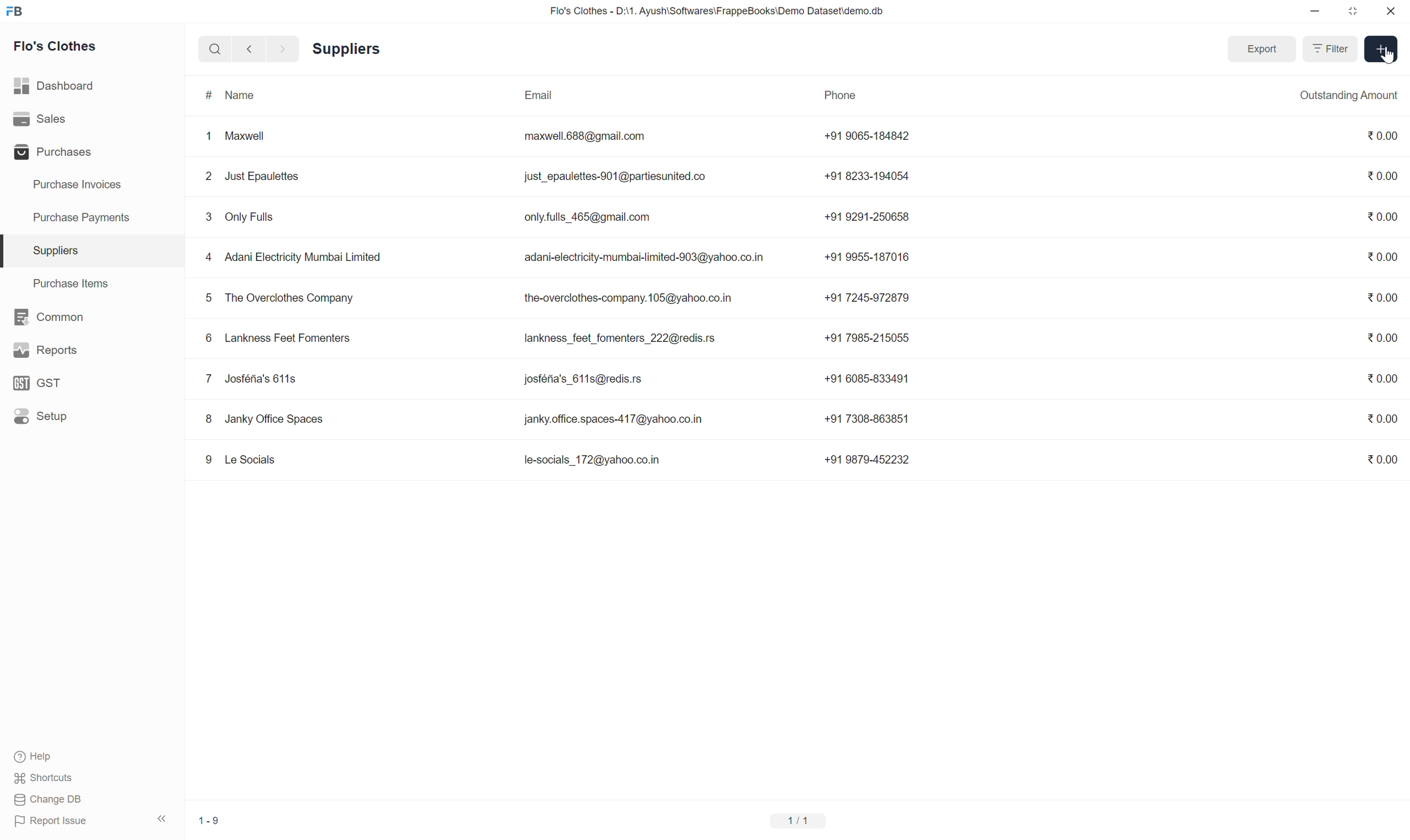  What do you see at coordinates (91, 383) in the screenshot?
I see `GST` at bounding box center [91, 383].